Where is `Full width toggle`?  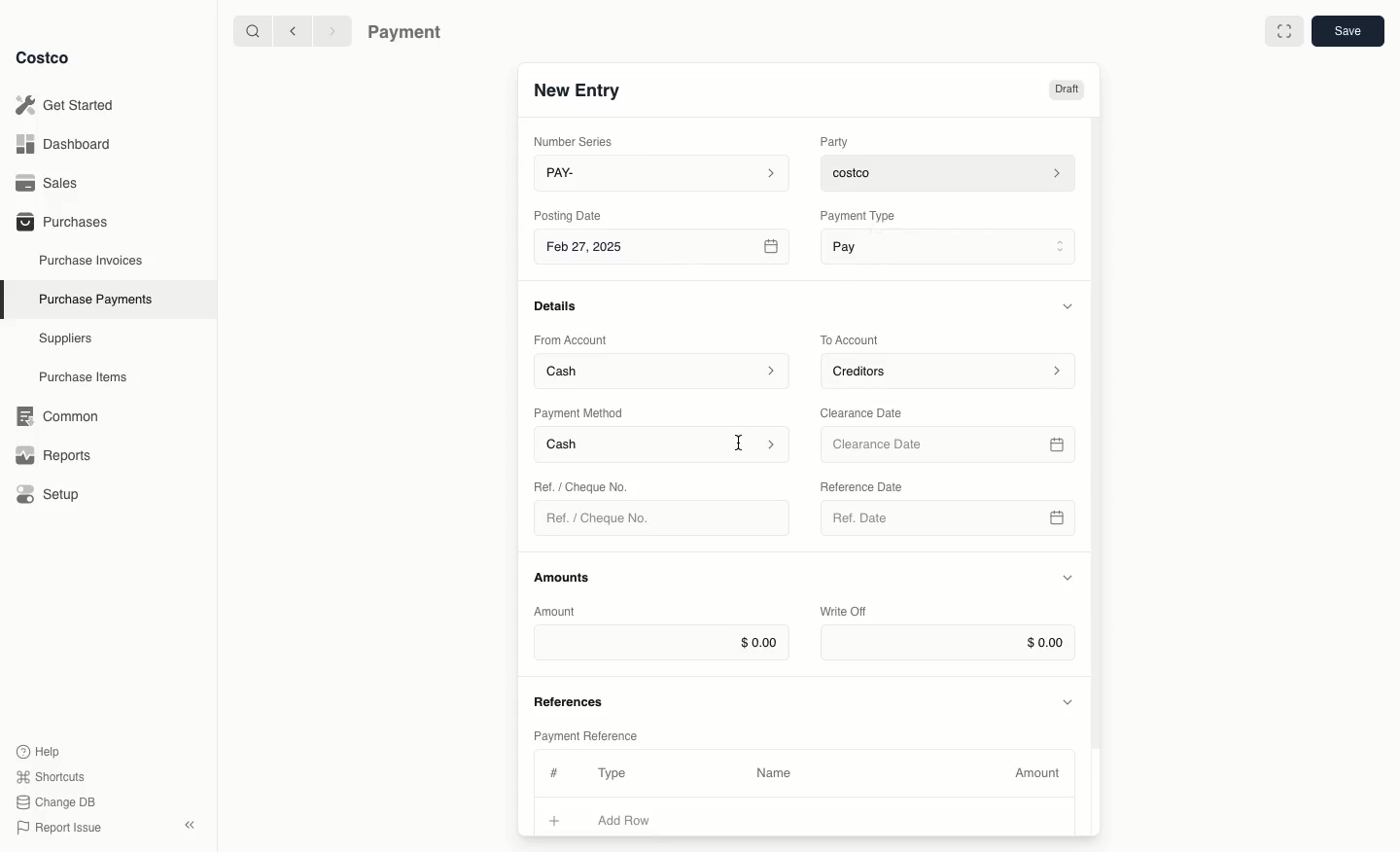
Full width toggle is located at coordinates (1284, 34).